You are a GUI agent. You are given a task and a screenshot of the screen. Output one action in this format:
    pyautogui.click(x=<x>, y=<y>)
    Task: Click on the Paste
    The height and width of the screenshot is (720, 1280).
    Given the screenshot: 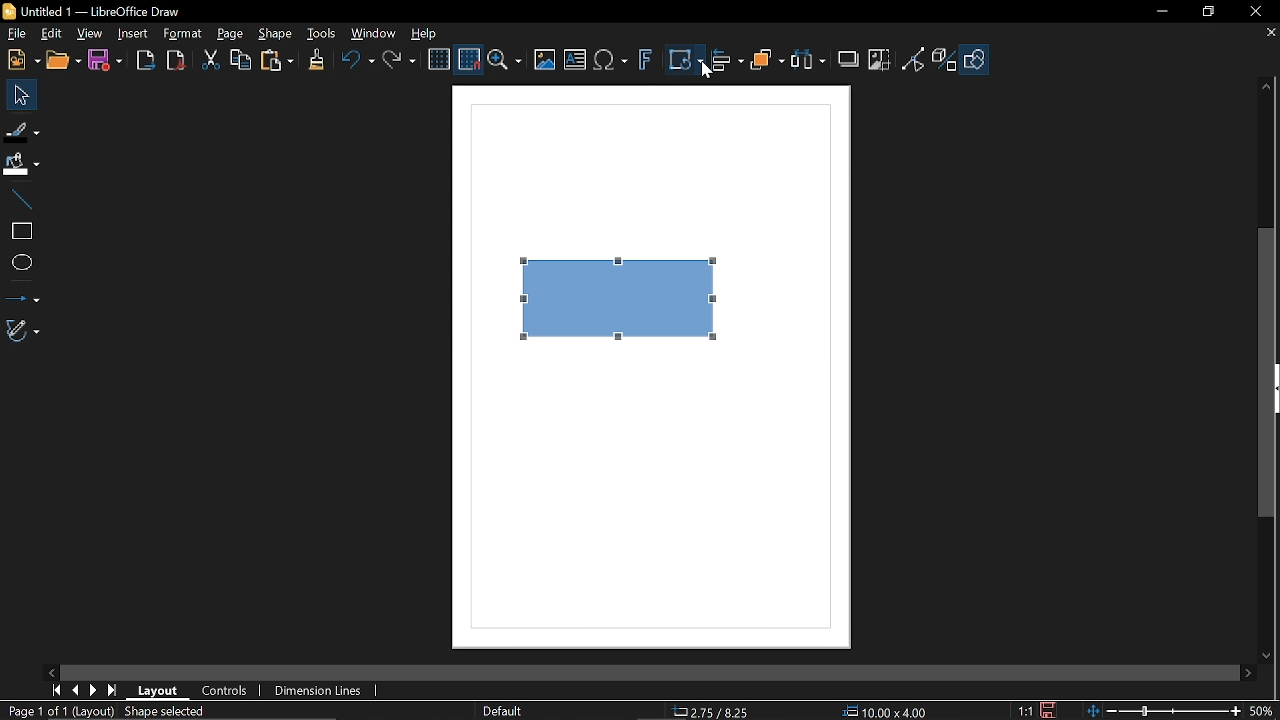 What is the action you would take?
    pyautogui.click(x=275, y=62)
    